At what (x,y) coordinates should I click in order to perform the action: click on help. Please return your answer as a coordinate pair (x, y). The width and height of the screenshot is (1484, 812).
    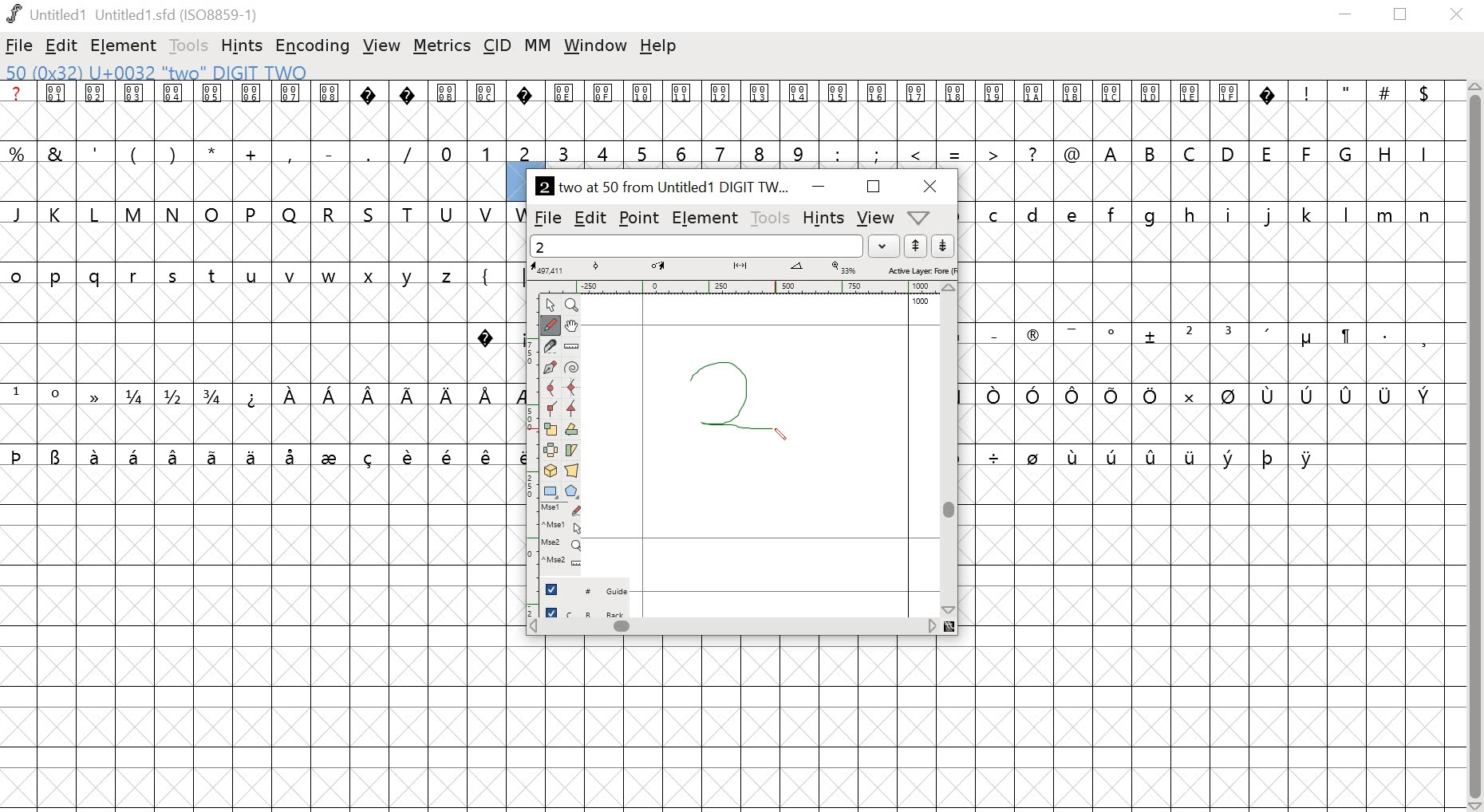
    Looking at the image, I should click on (658, 48).